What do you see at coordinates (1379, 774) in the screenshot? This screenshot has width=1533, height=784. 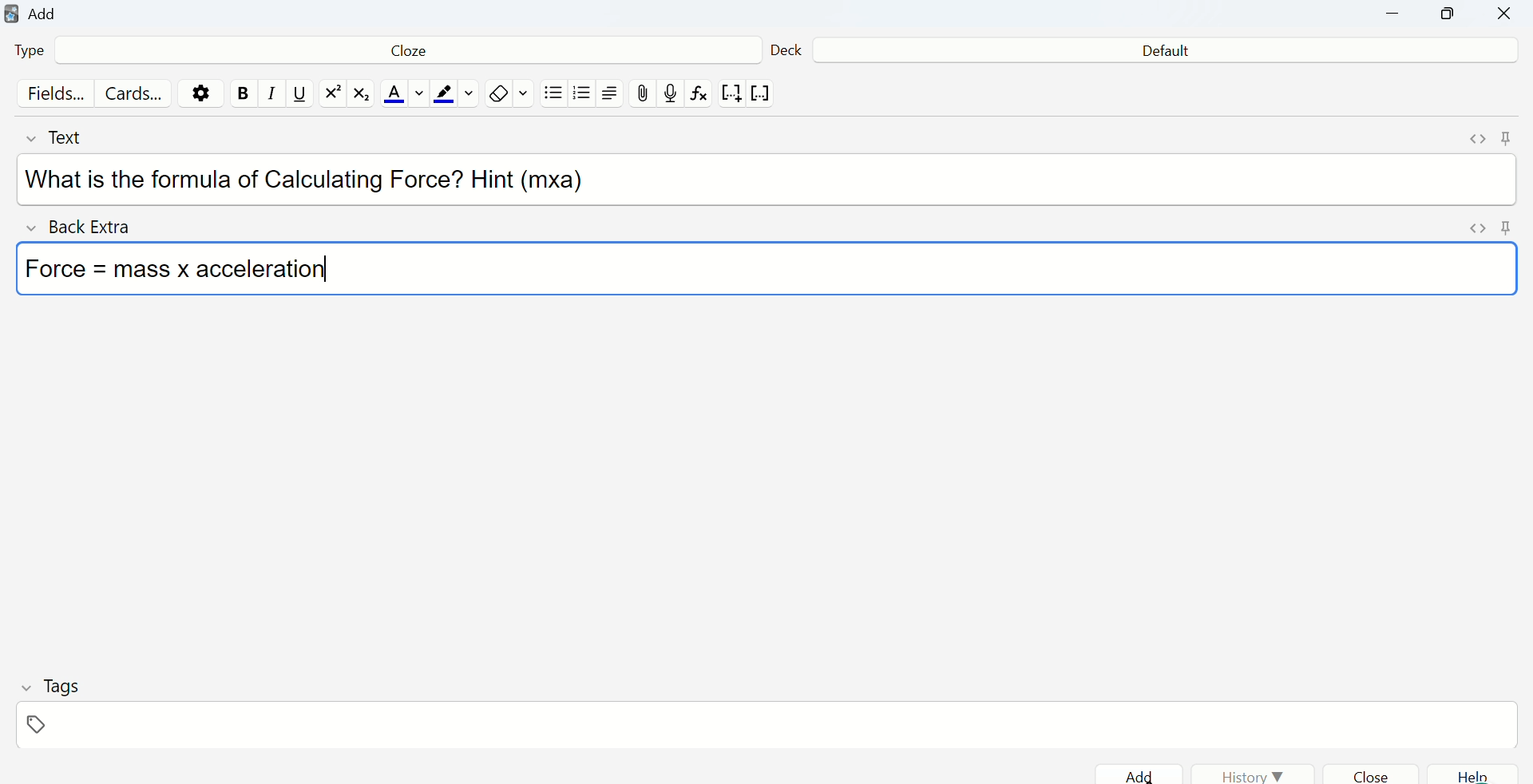 I see `Close` at bounding box center [1379, 774].